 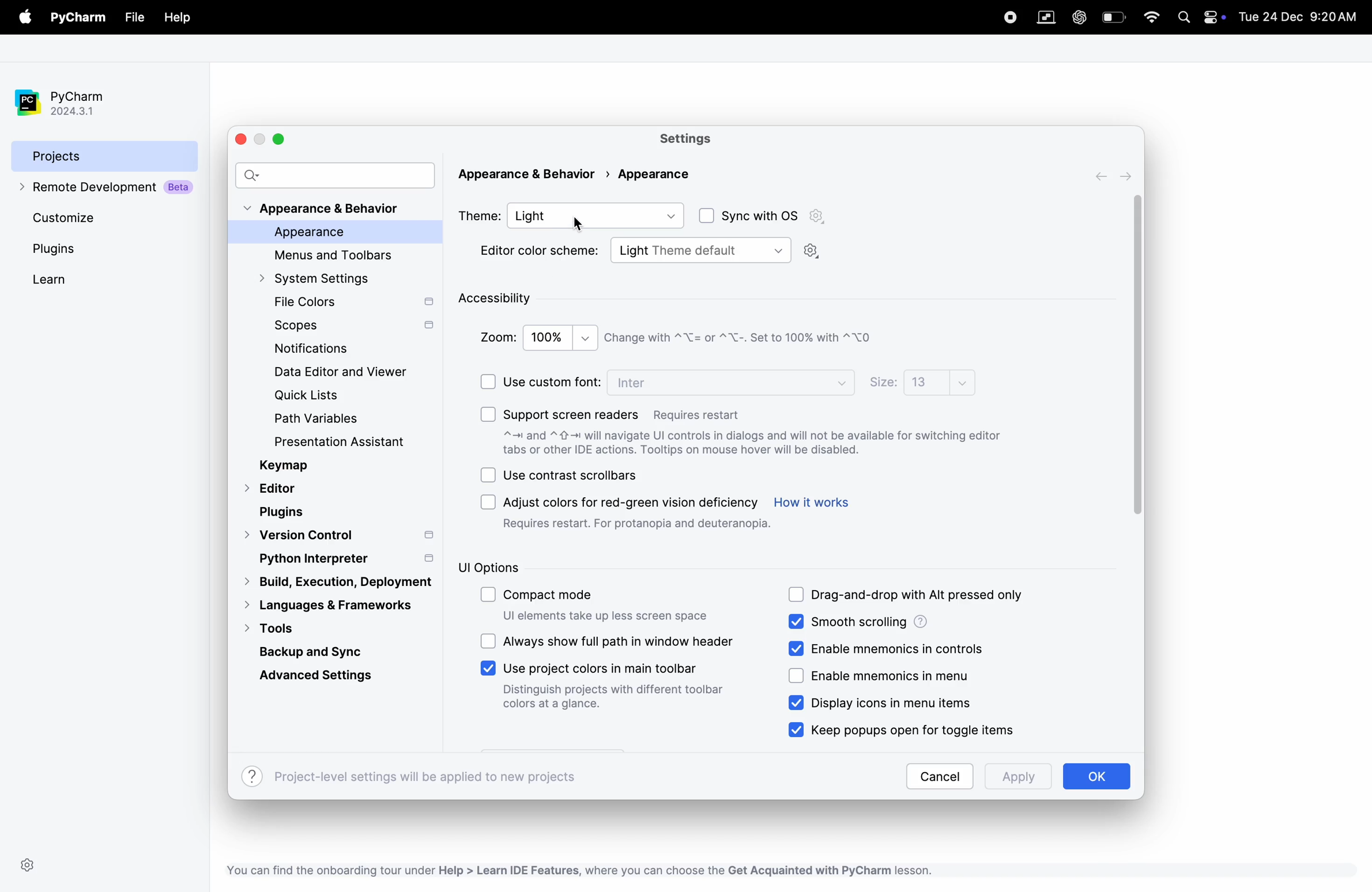 I want to click on vertical slider, so click(x=1137, y=357).